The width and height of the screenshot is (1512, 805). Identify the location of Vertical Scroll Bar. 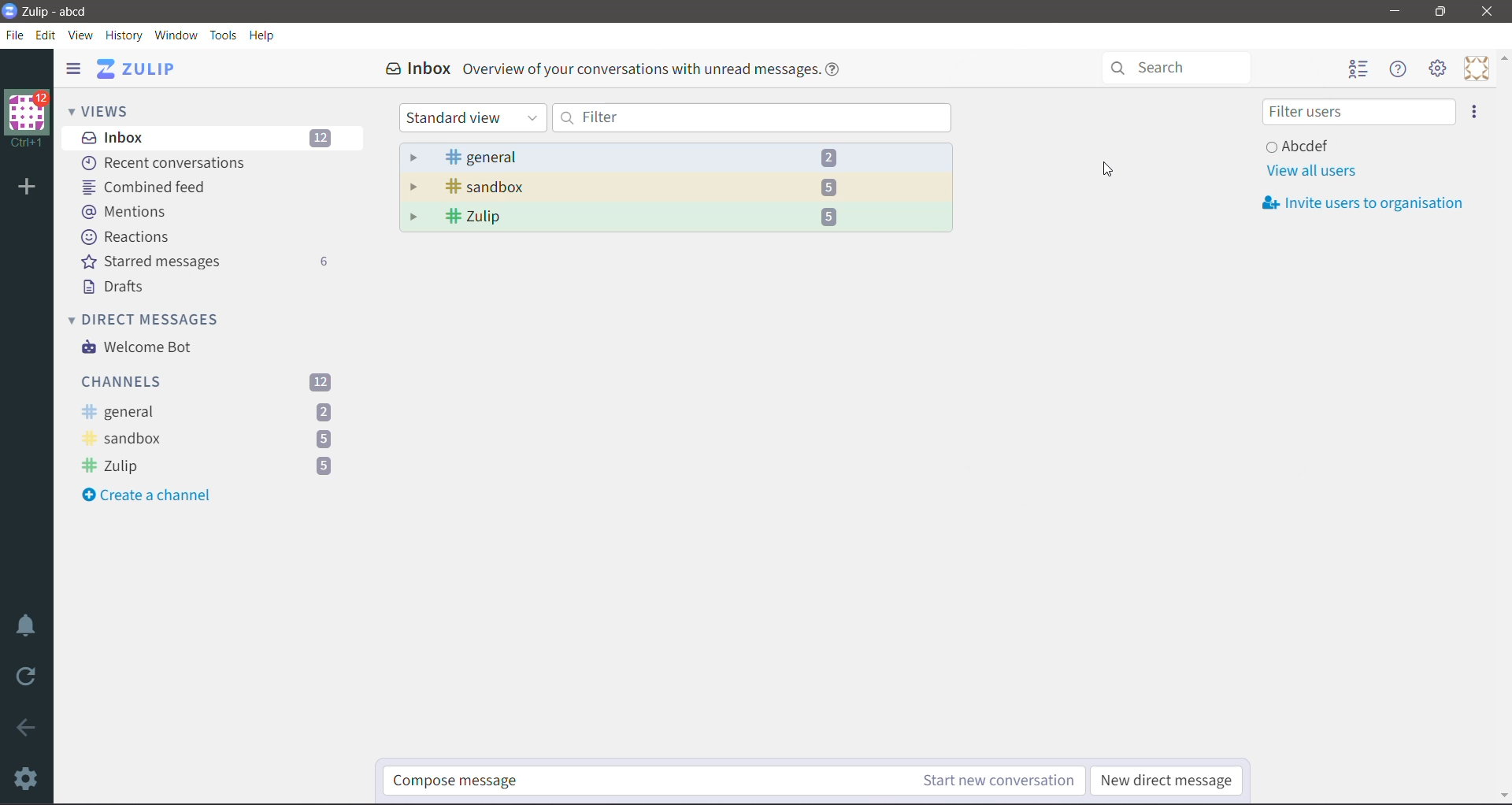
(1502, 427).